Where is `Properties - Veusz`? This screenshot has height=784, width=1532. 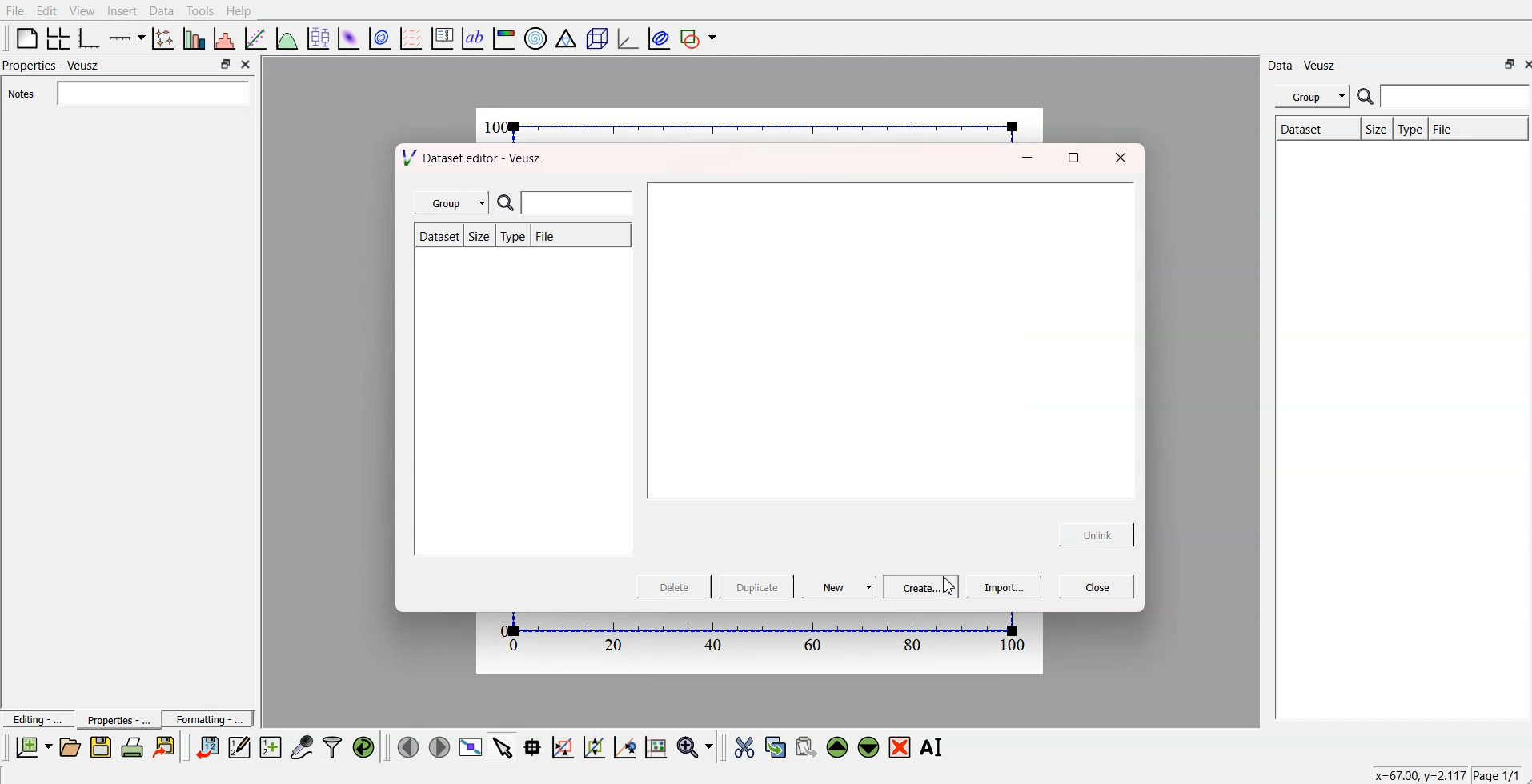
Properties - Veusz is located at coordinates (52, 66).